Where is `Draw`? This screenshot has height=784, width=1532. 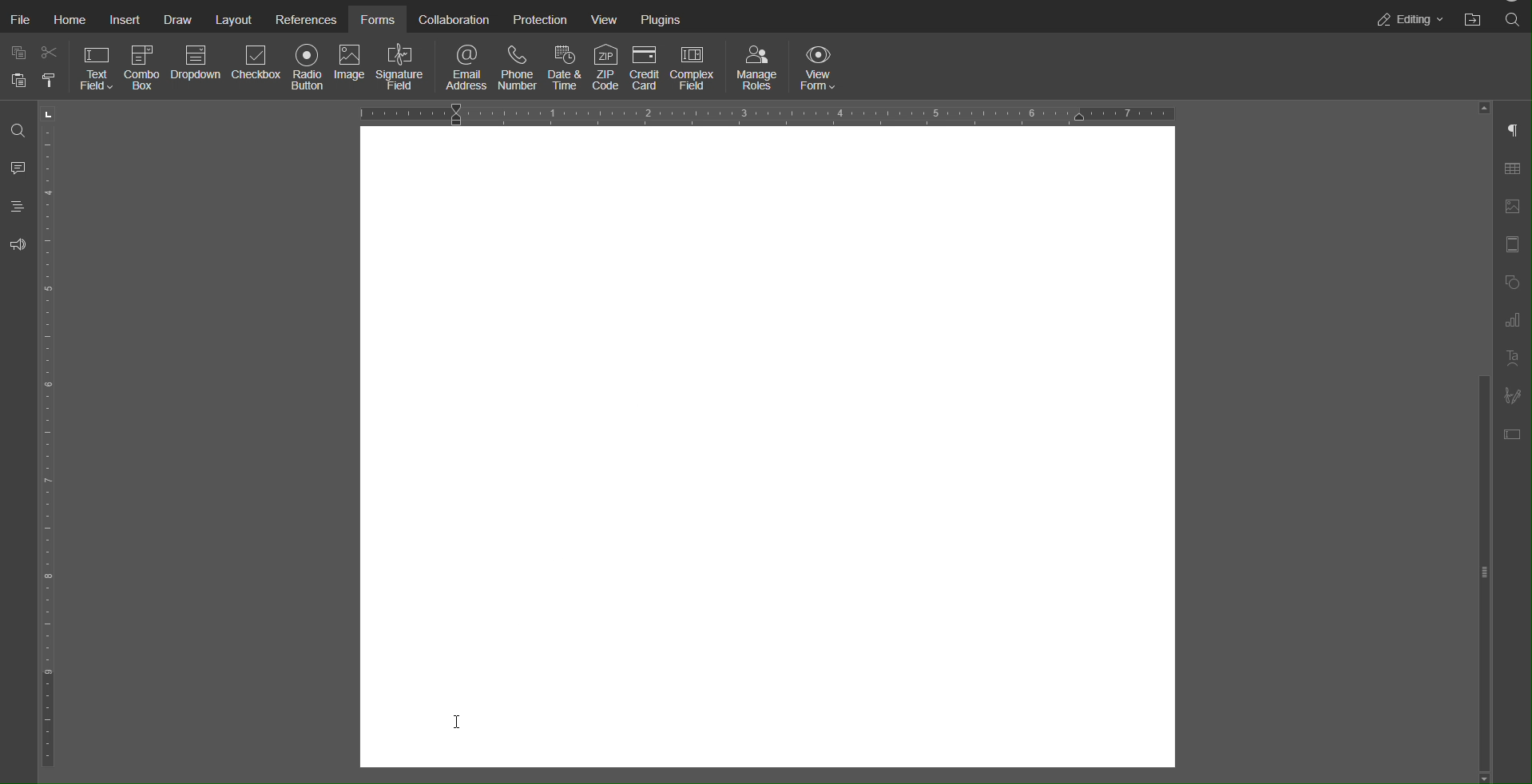
Draw is located at coordinates (183, 18).